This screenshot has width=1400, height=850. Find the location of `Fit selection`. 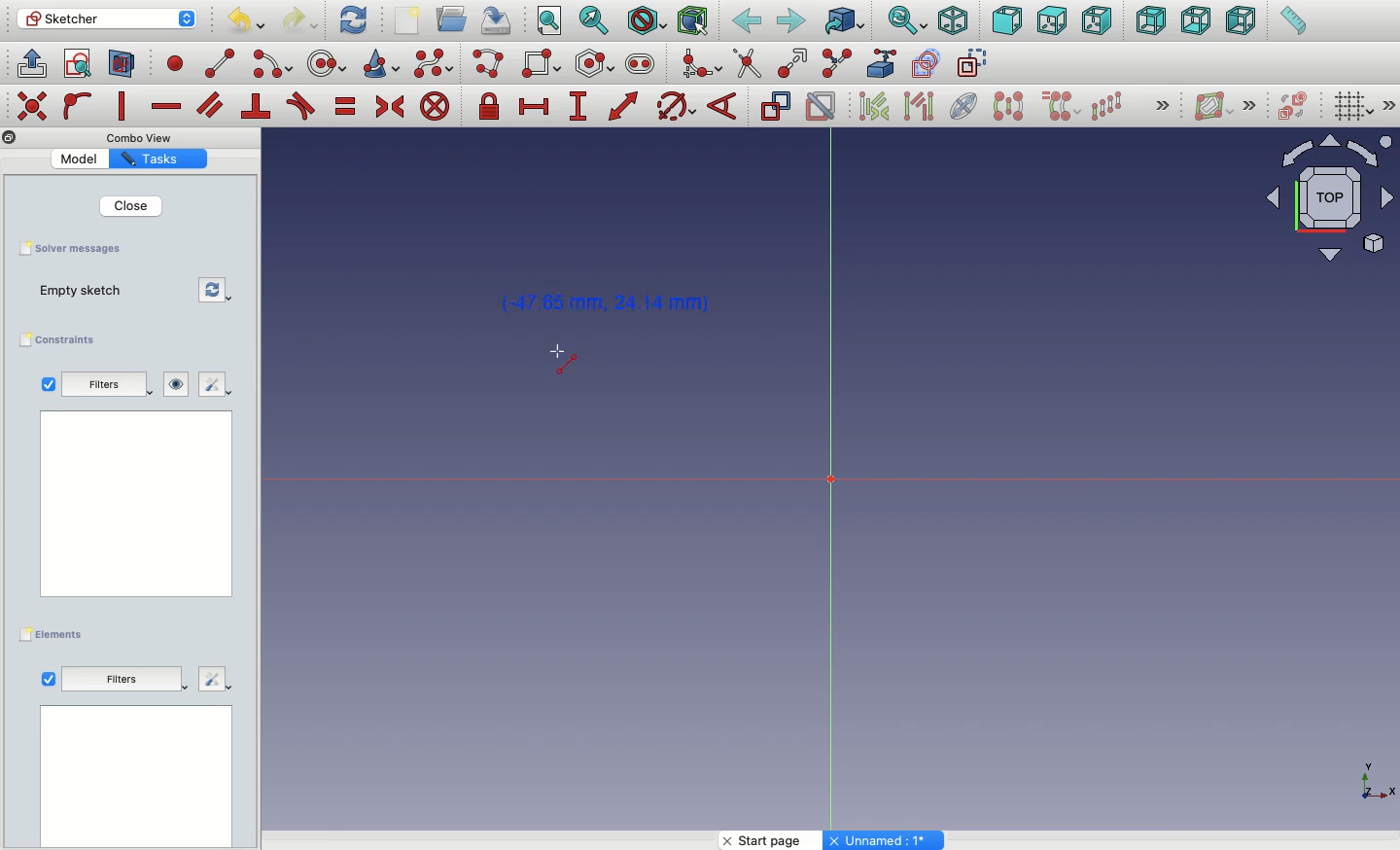

Fit selection is located at coordinates (596, 19).